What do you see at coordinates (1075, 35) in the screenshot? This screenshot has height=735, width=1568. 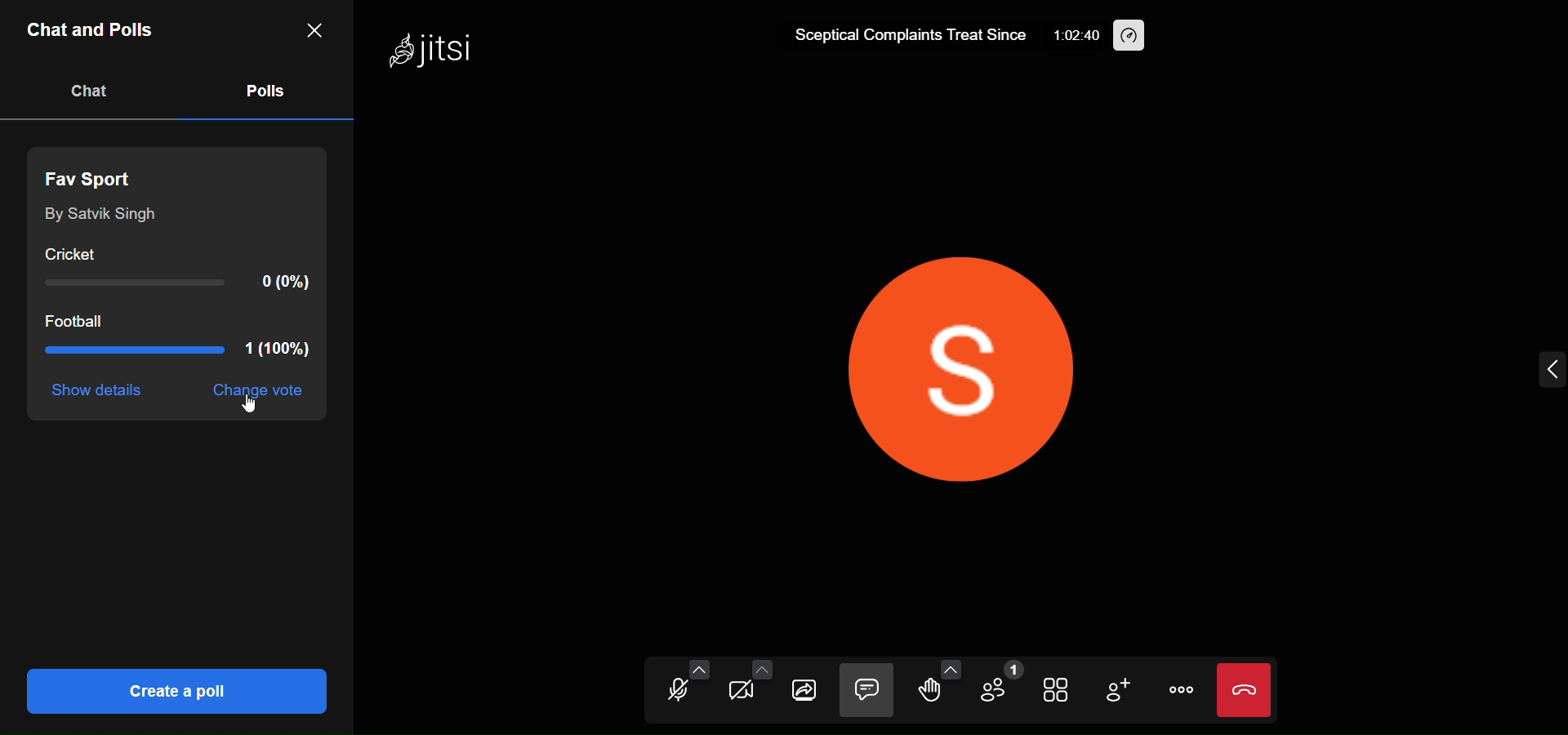 I see `1:02:40` at bounding box center [1075, 35].